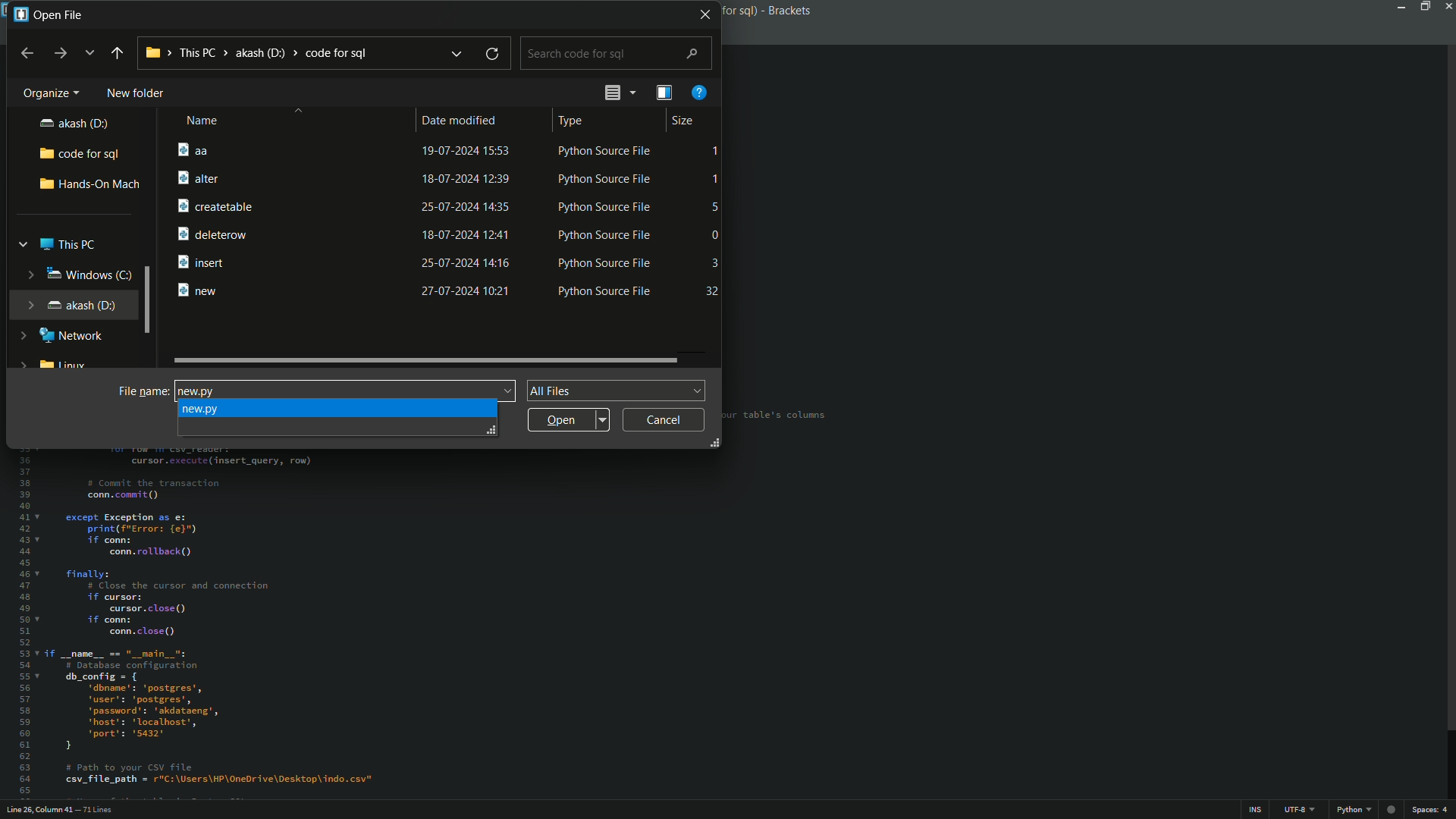  What do you see at coordinates (1449, 391) in the screenshot?
I see `scroll bar` at bounding box center [1449, 391].